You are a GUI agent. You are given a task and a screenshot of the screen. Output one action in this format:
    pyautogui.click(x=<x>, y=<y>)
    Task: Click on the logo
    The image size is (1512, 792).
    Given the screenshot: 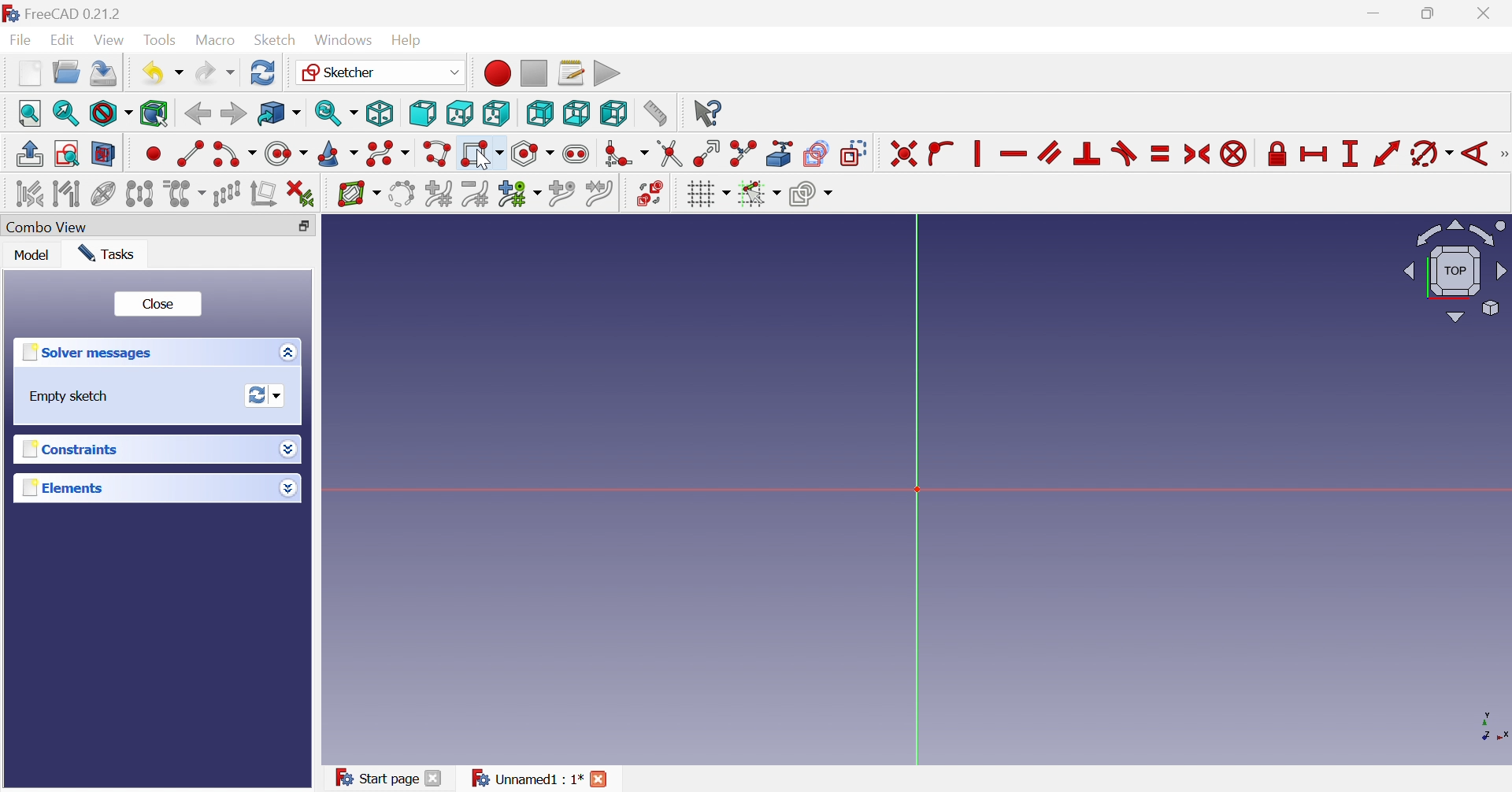 What is the action you would take?
    pyautogui.click(x=10, y=12)
    